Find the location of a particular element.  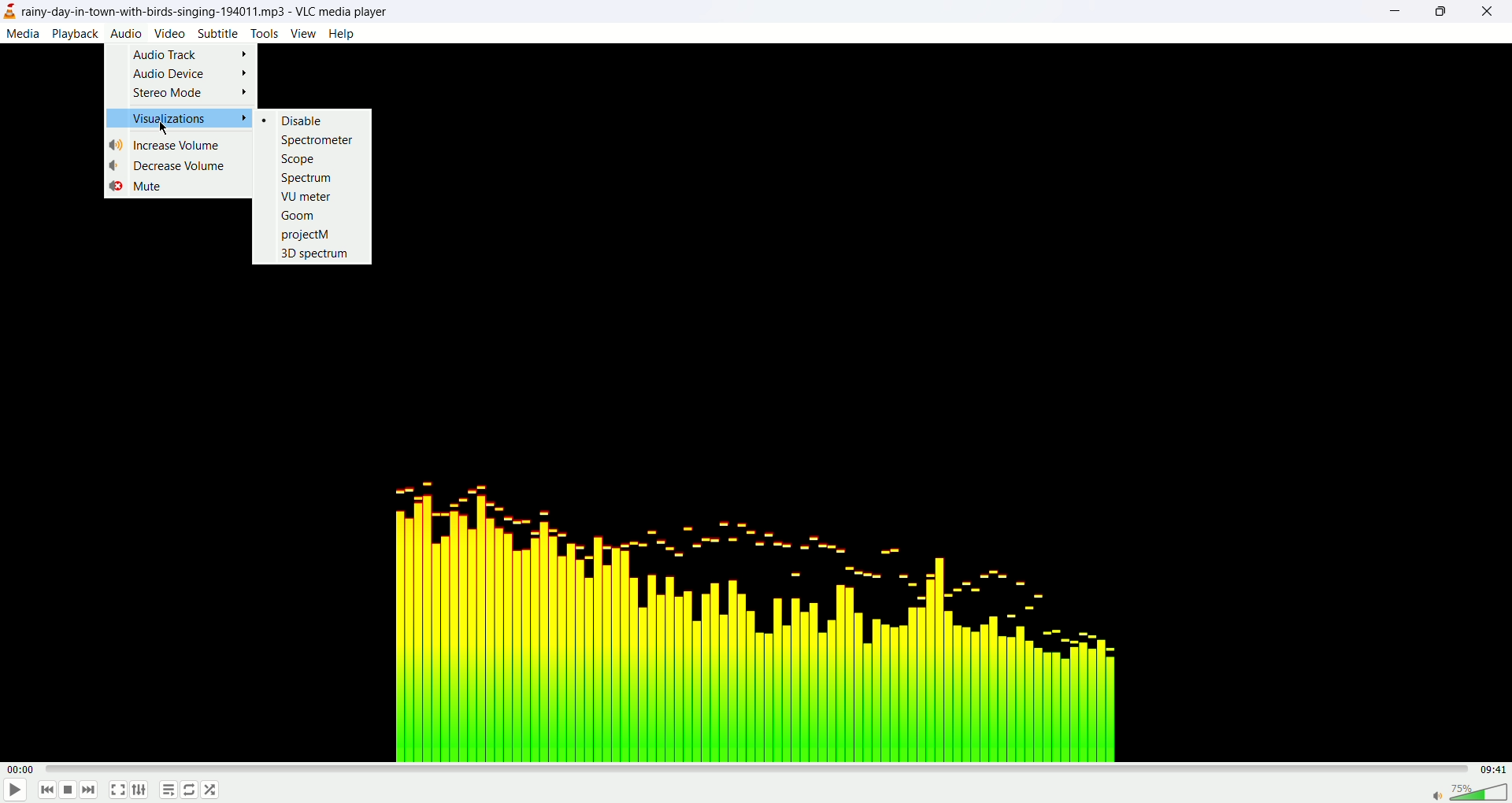

previous is located at coordinates (46, 790).